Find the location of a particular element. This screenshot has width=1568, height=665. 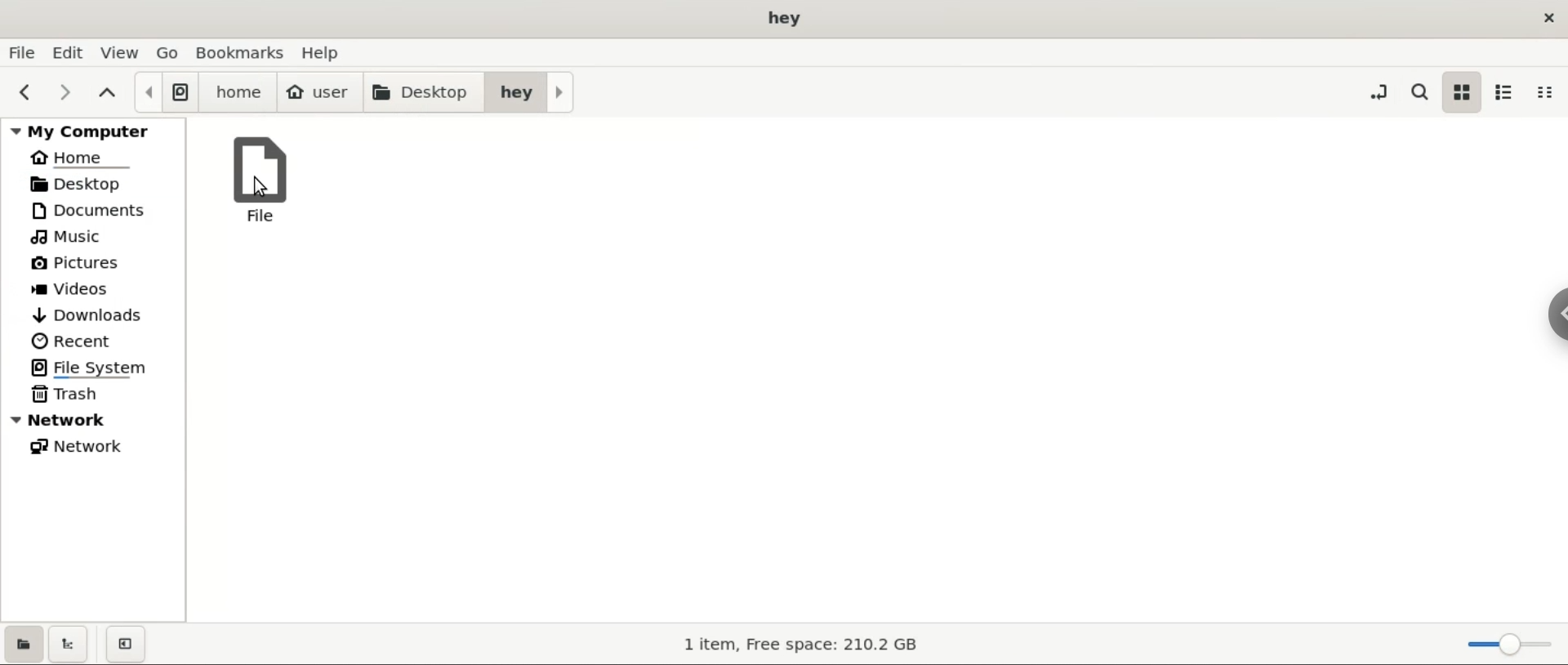

bookmarks is located at coordinates (241, 52).